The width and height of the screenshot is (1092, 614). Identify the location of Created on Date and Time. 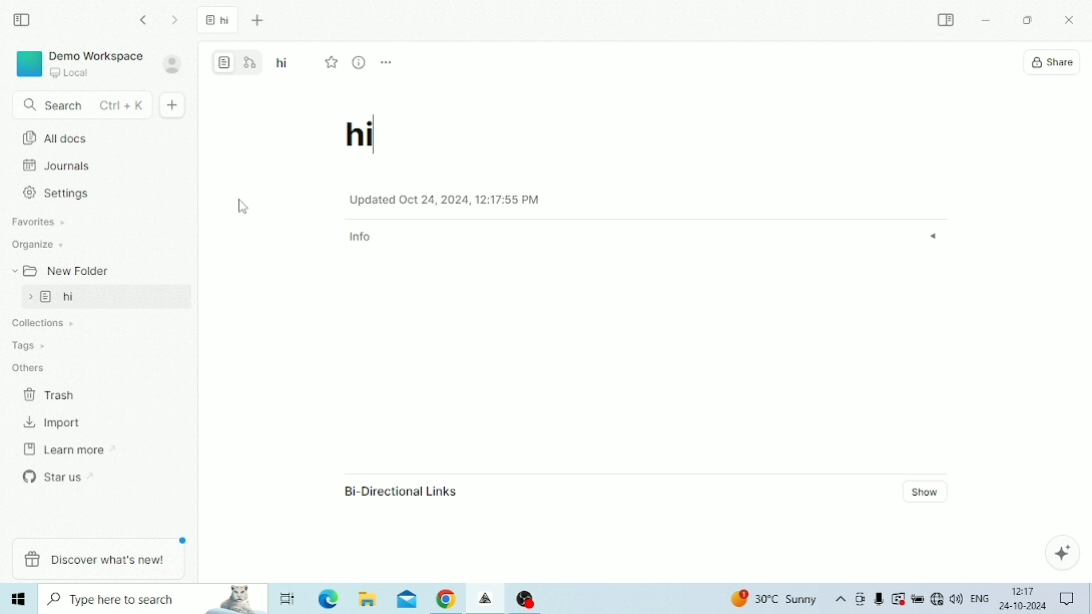
(444, 199).